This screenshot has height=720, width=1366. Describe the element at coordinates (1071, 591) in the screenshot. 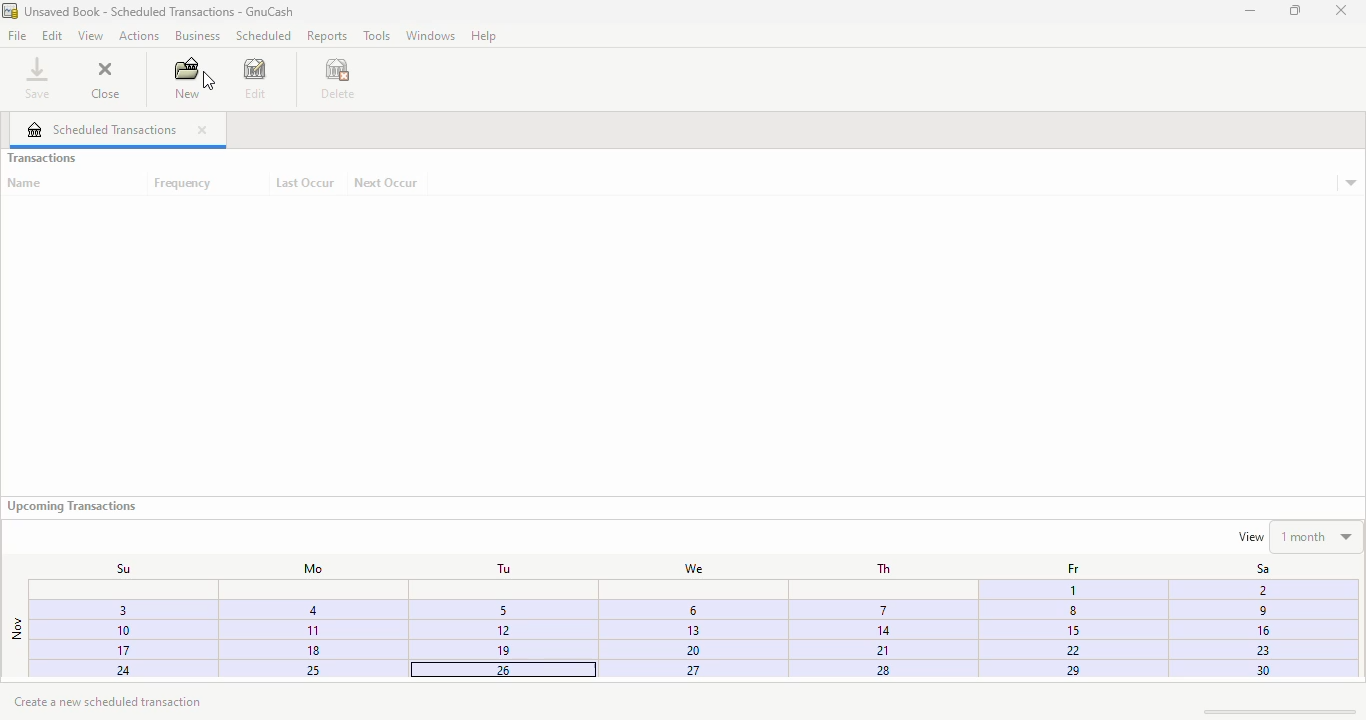

I see `1` at that location.